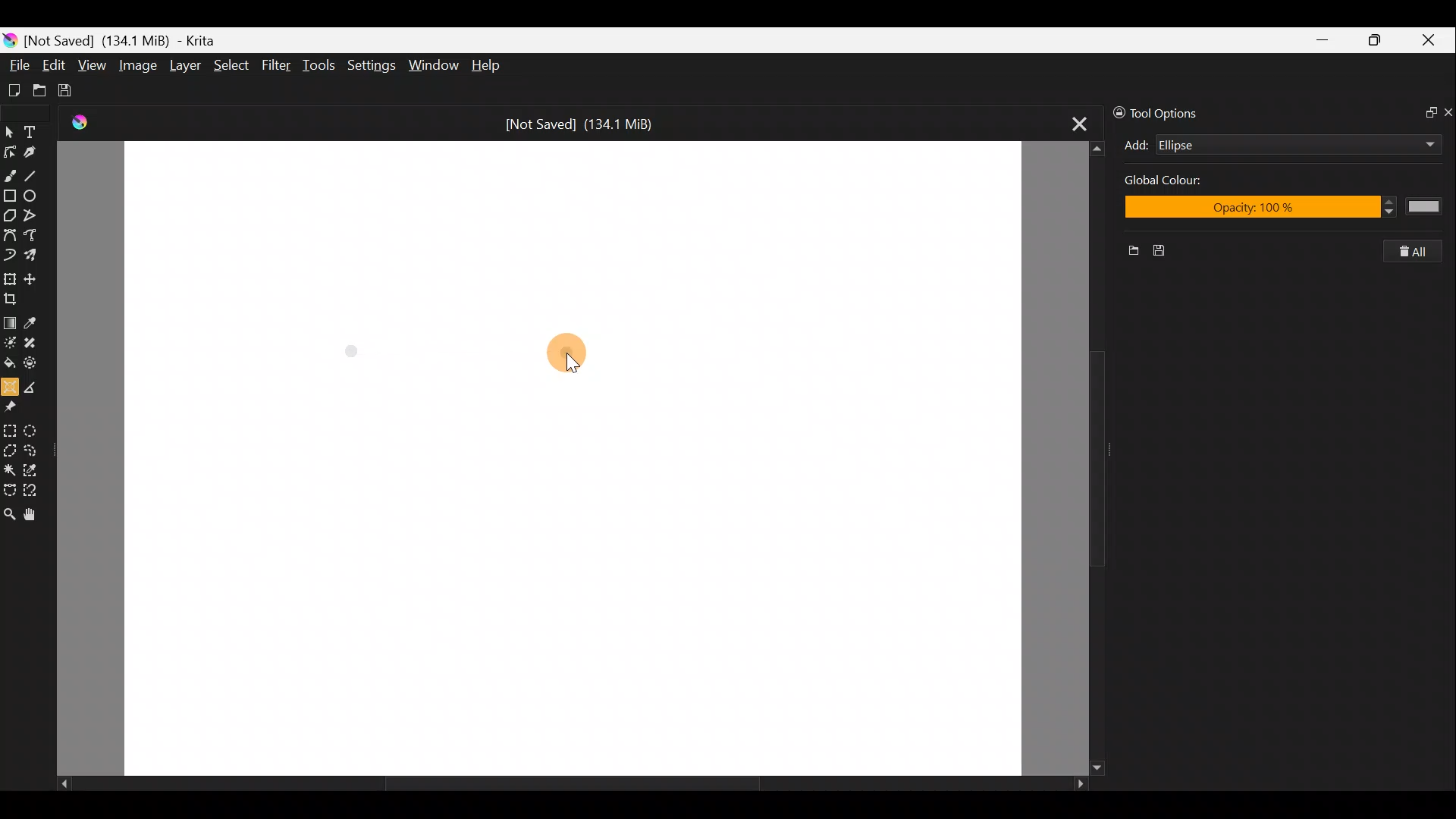  I want to click on Create new document, so click(13, 89).